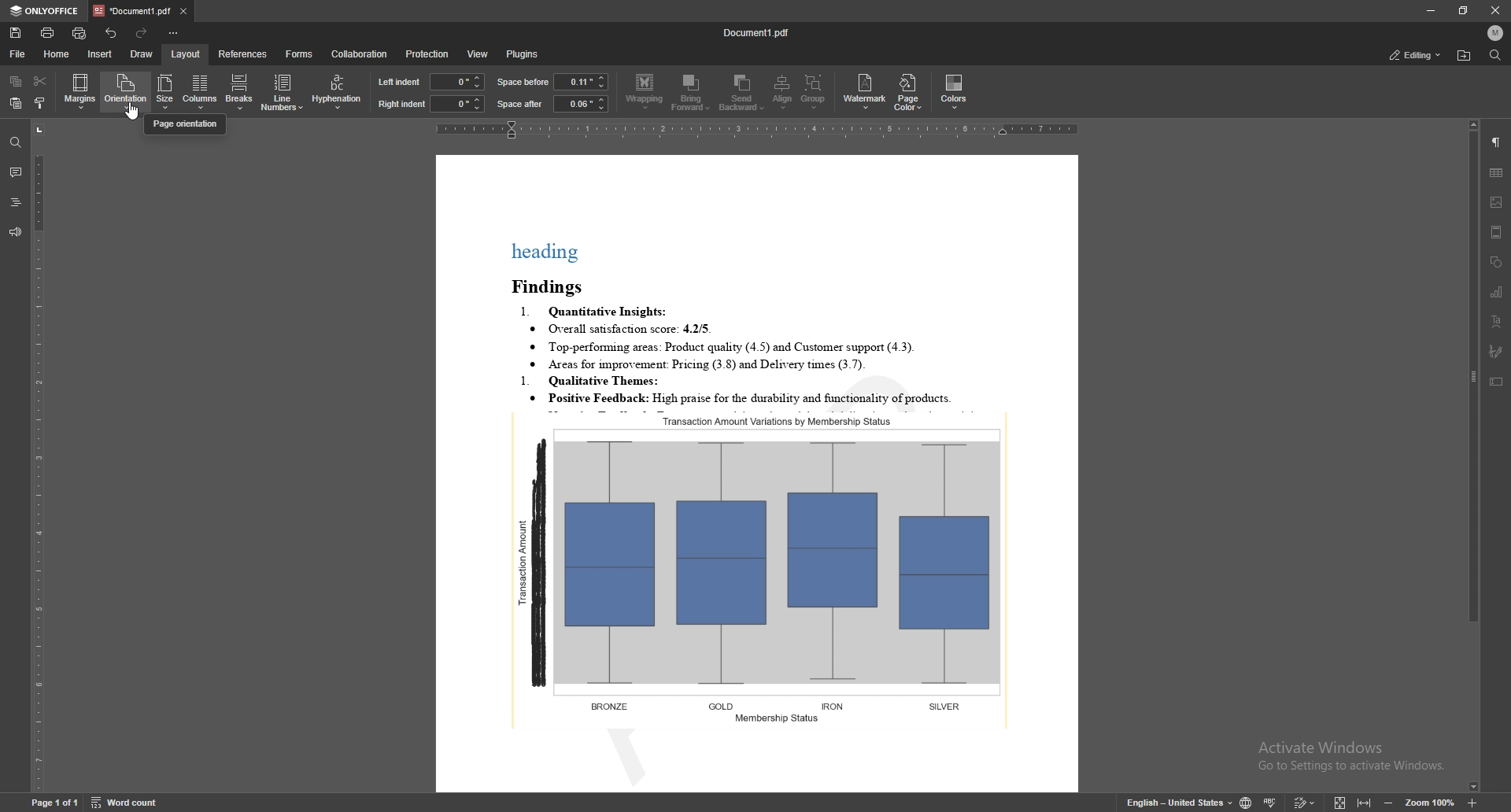 This screenshot has width=1511, height=812. I want to click on image, so click(1498, 202).